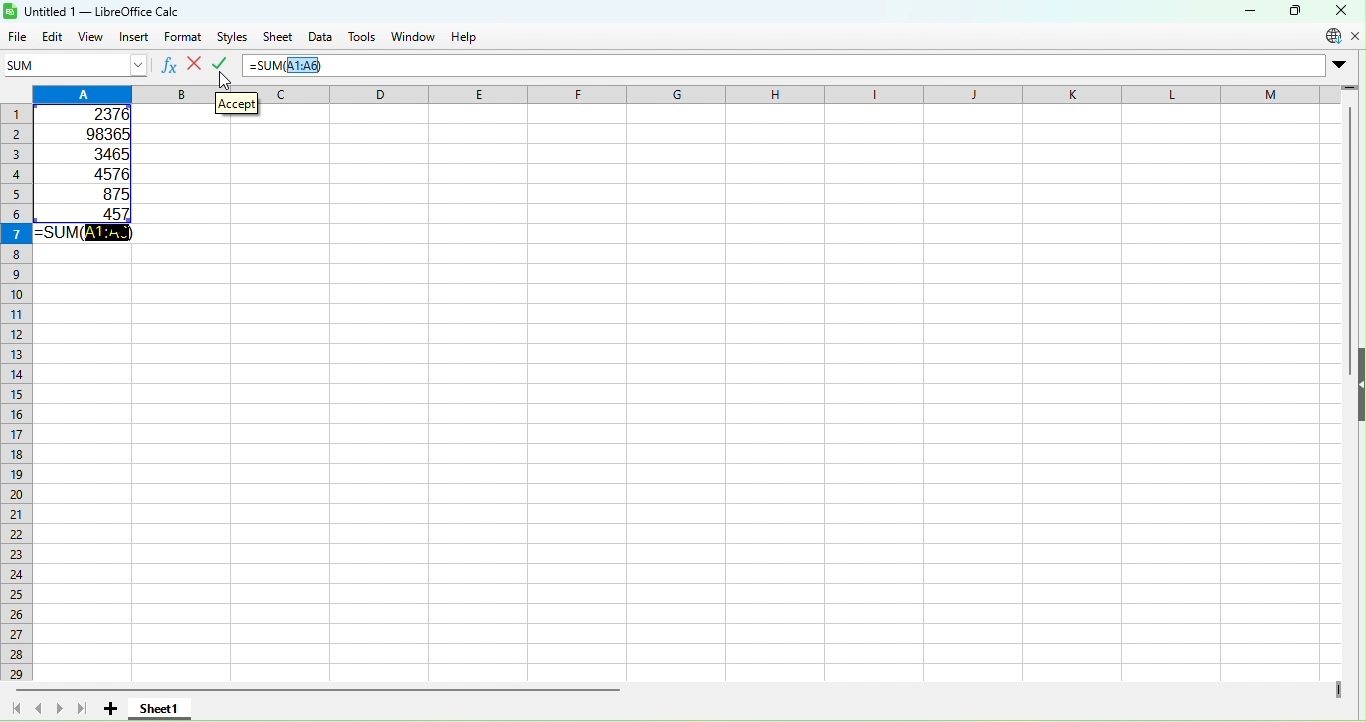 The height and width of the screenshot is (722, 1366). What do you see at coordinates (102, 192) in the screenshot?
I see `875` at bounding box center [102, 192].